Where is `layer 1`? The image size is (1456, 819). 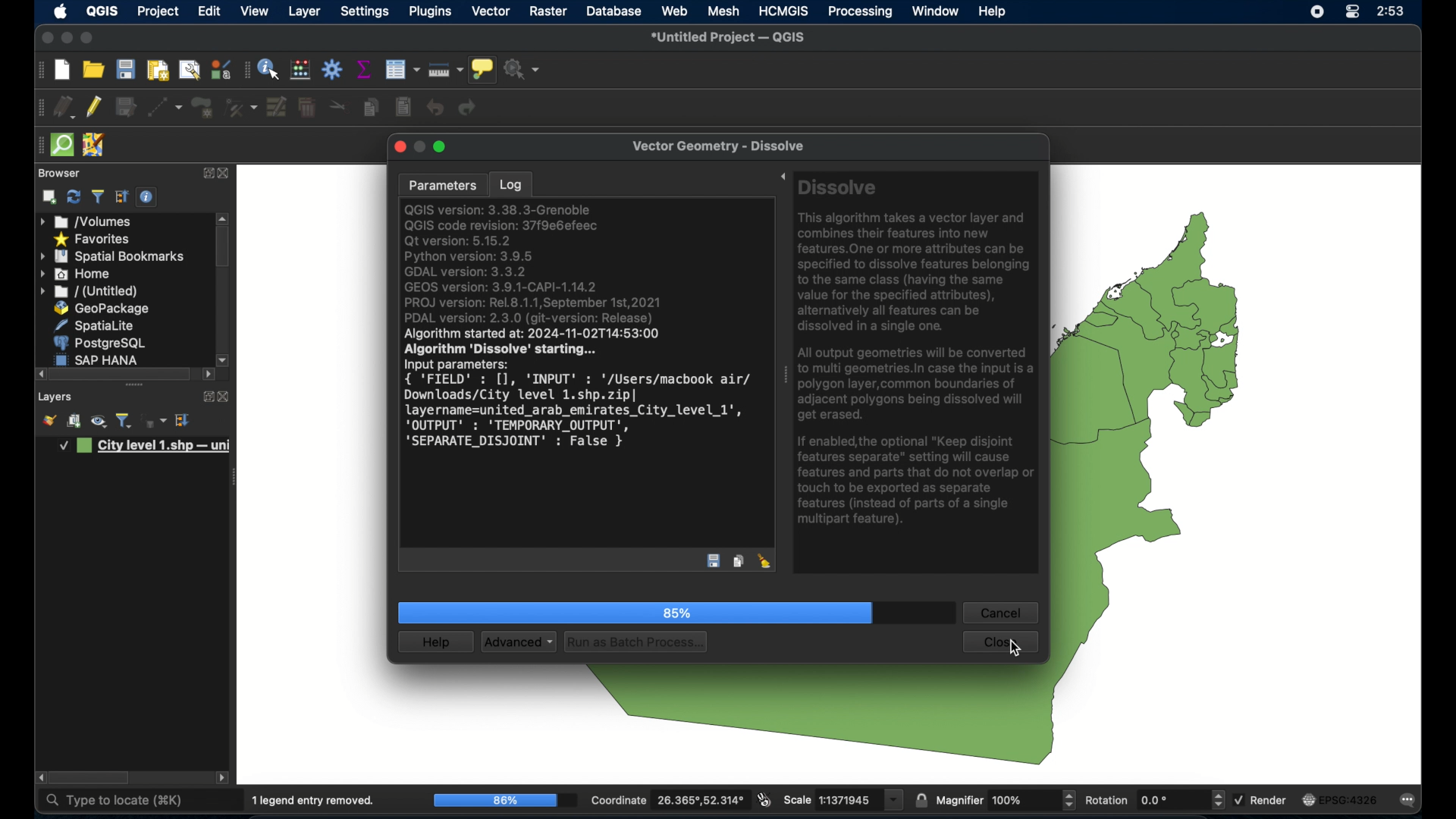
layer 1 is located at coordinates (146, 447).